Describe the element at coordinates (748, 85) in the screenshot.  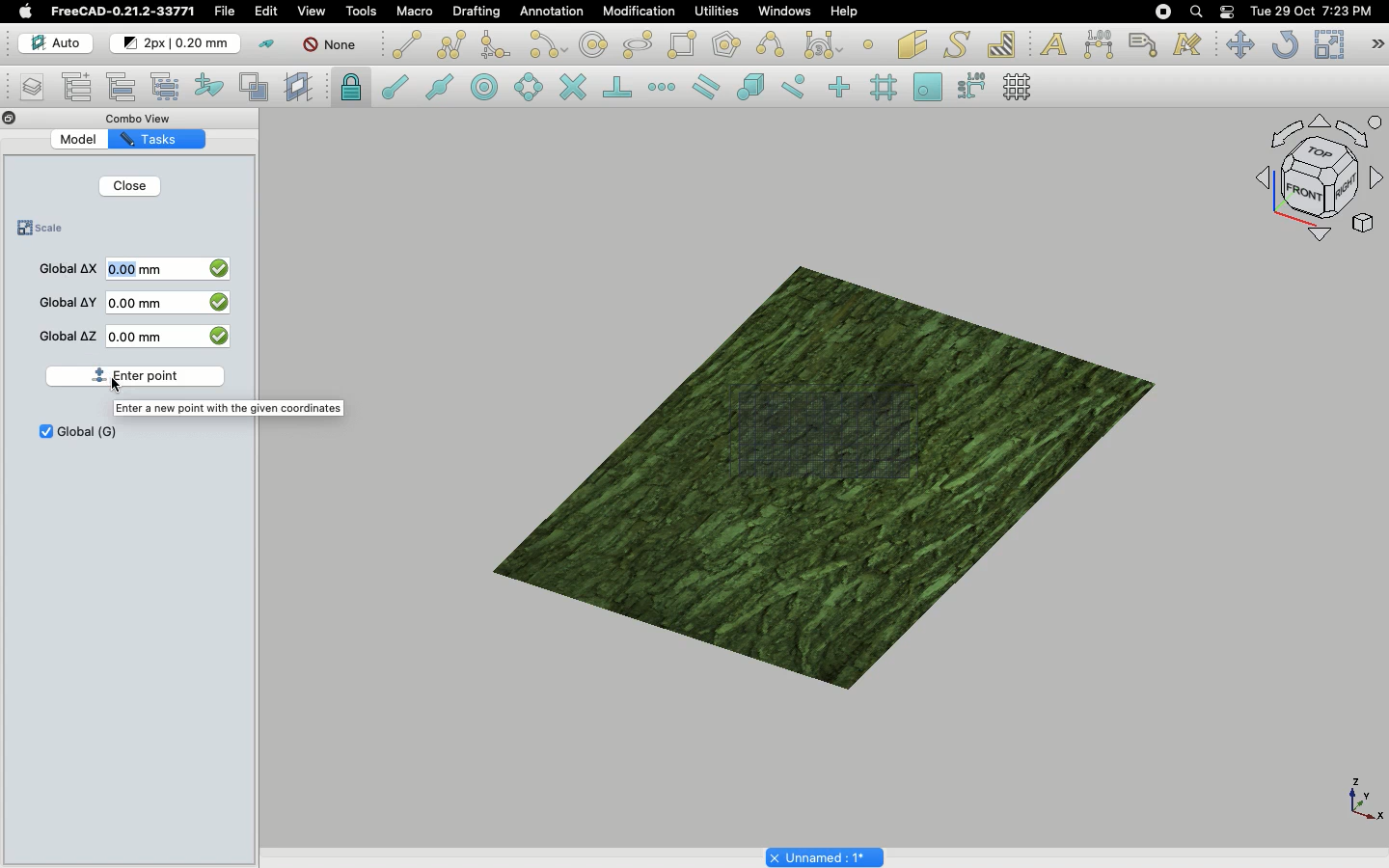
I see `Snap special` at that location.